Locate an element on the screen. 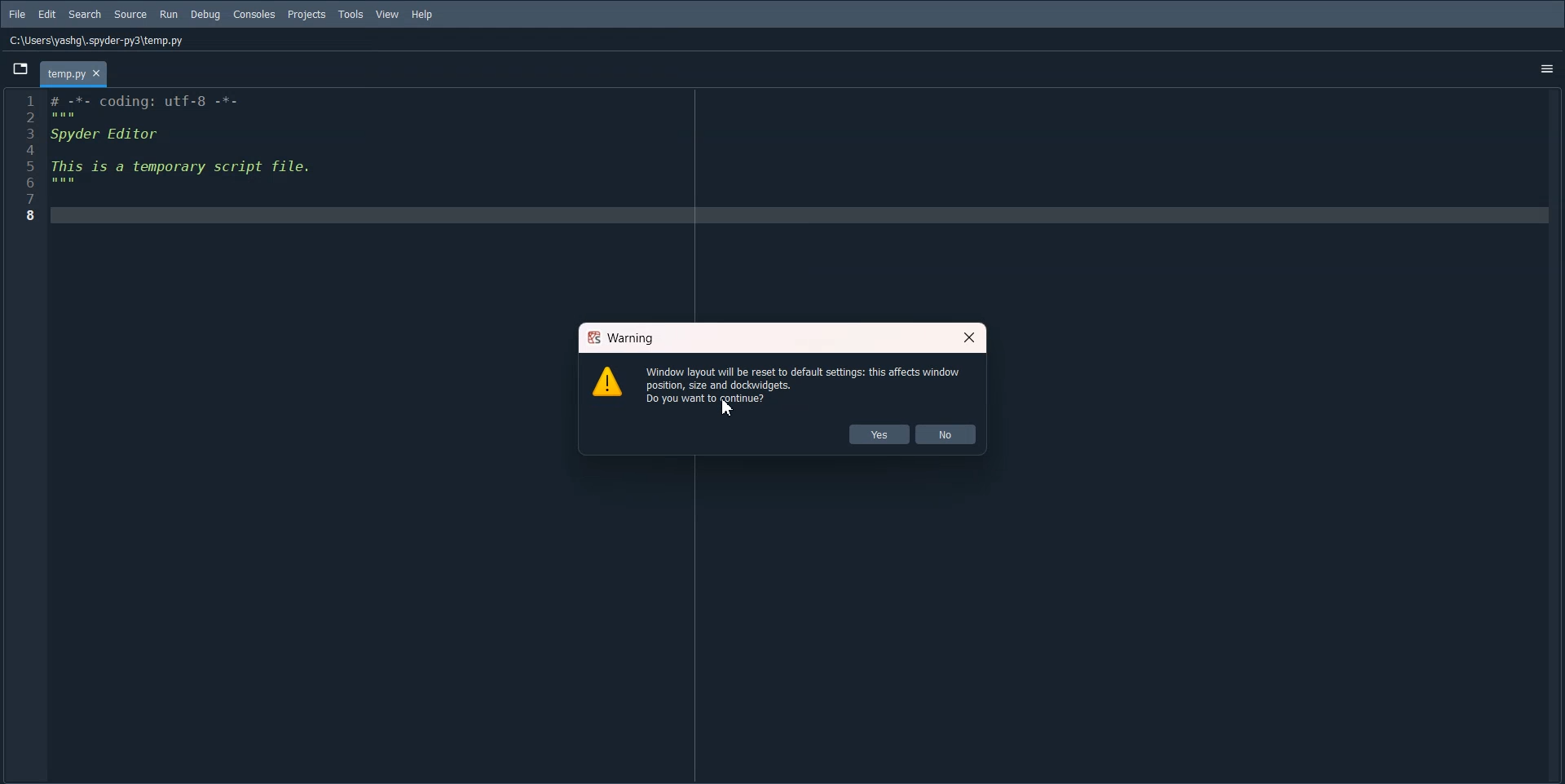 The image size is (1565, 784). Search is located at coordinates (85, 15).